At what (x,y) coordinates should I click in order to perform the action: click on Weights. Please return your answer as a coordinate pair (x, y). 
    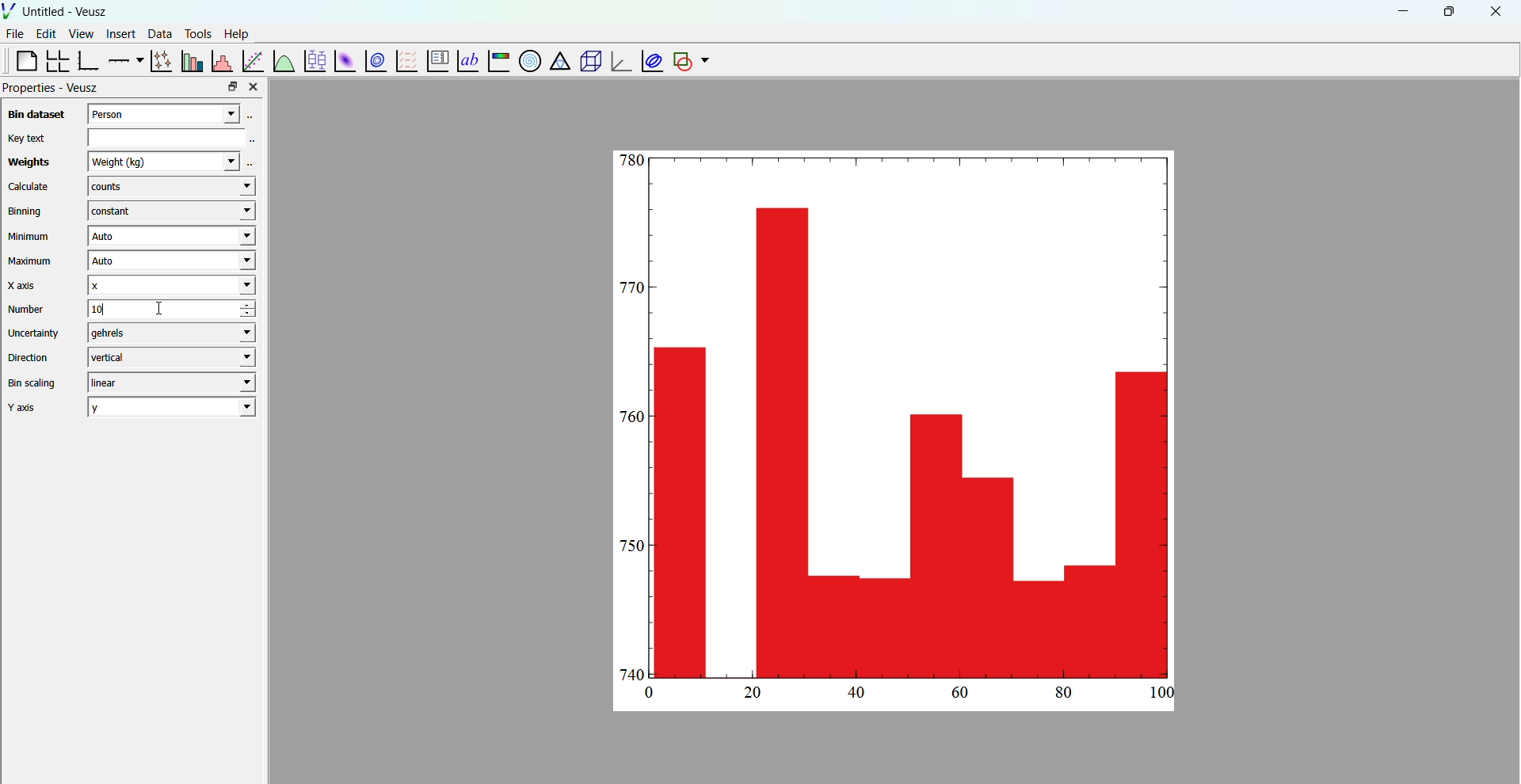
    Looking at the image, I should click on (26, 163).